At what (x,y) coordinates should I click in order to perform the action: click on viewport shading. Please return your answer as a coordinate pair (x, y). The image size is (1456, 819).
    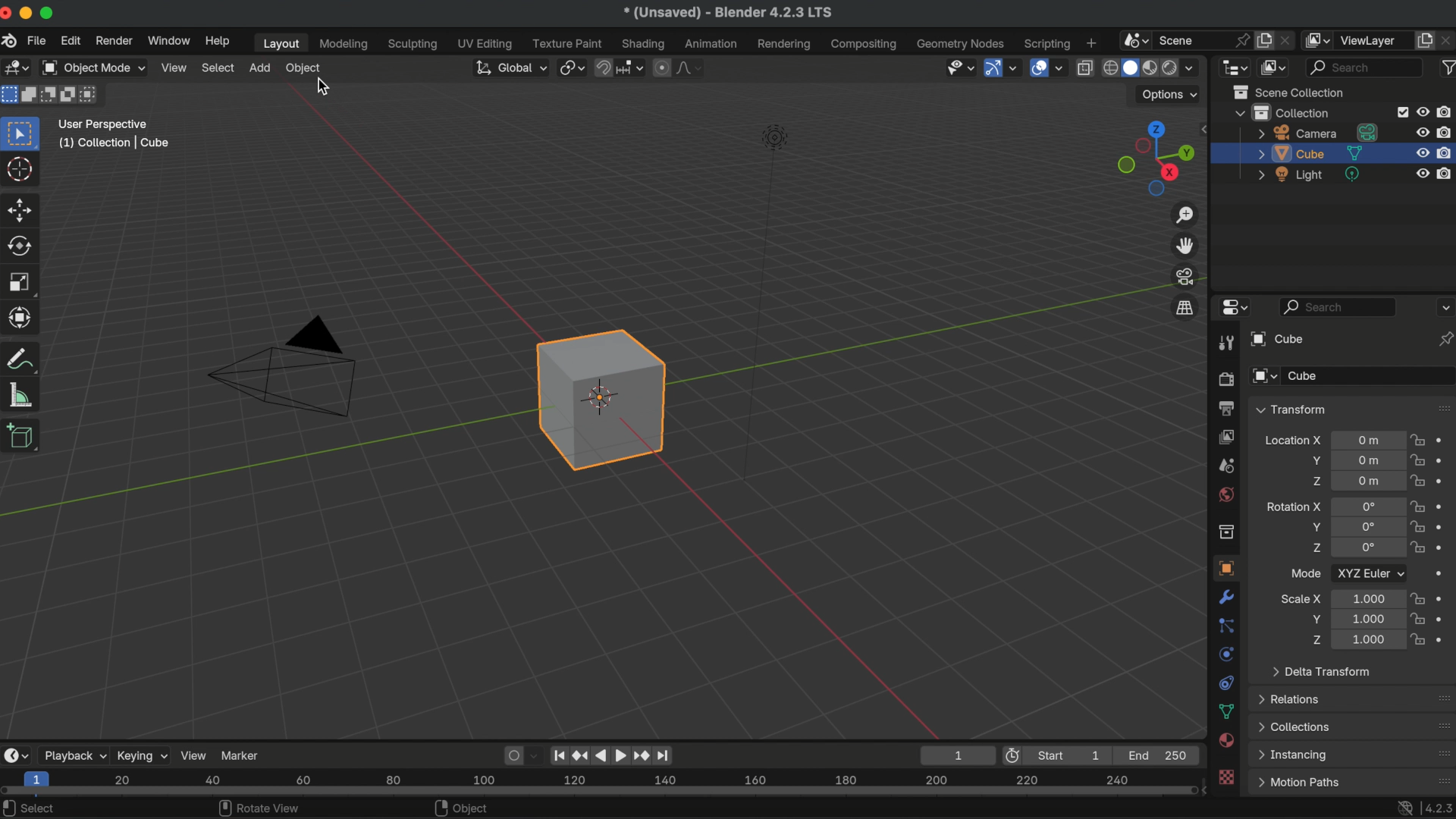
    Looking at the image, I should click on (1169, 69).